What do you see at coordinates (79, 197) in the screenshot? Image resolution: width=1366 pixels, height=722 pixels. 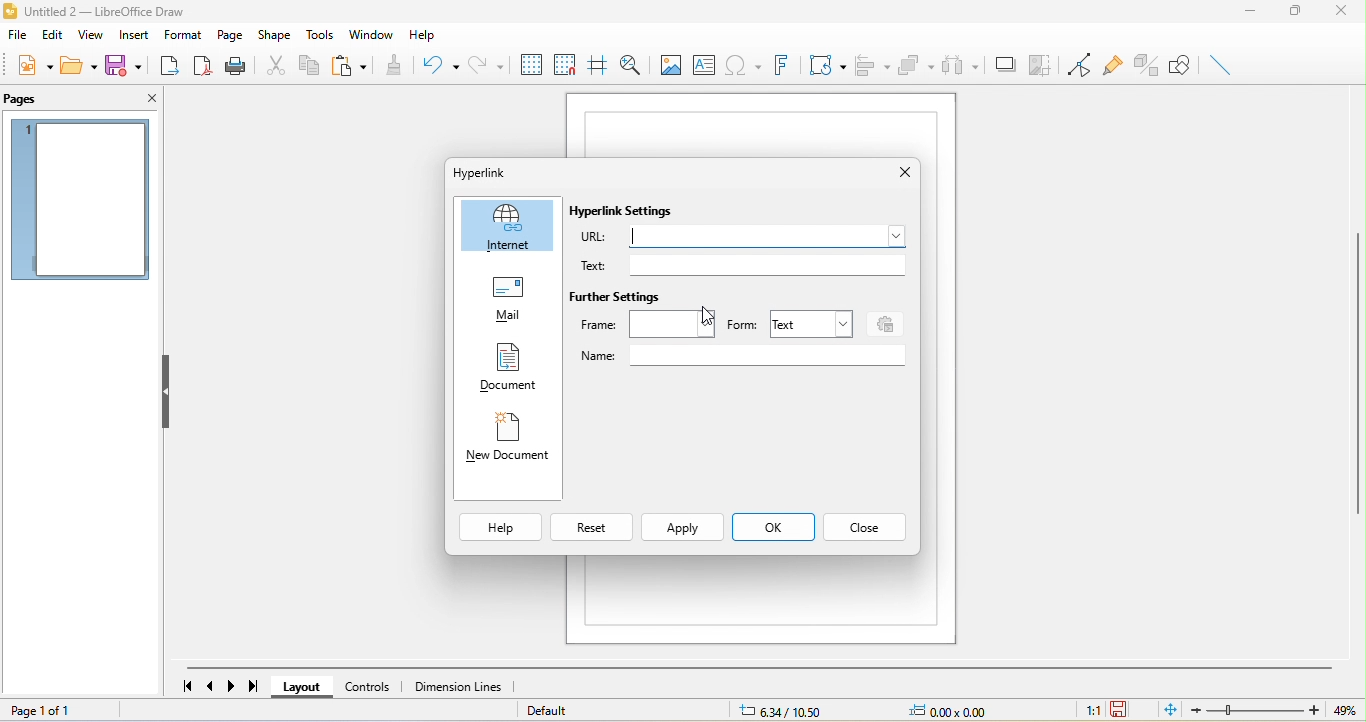 I see `page 1` at bounding box center [79, 197].